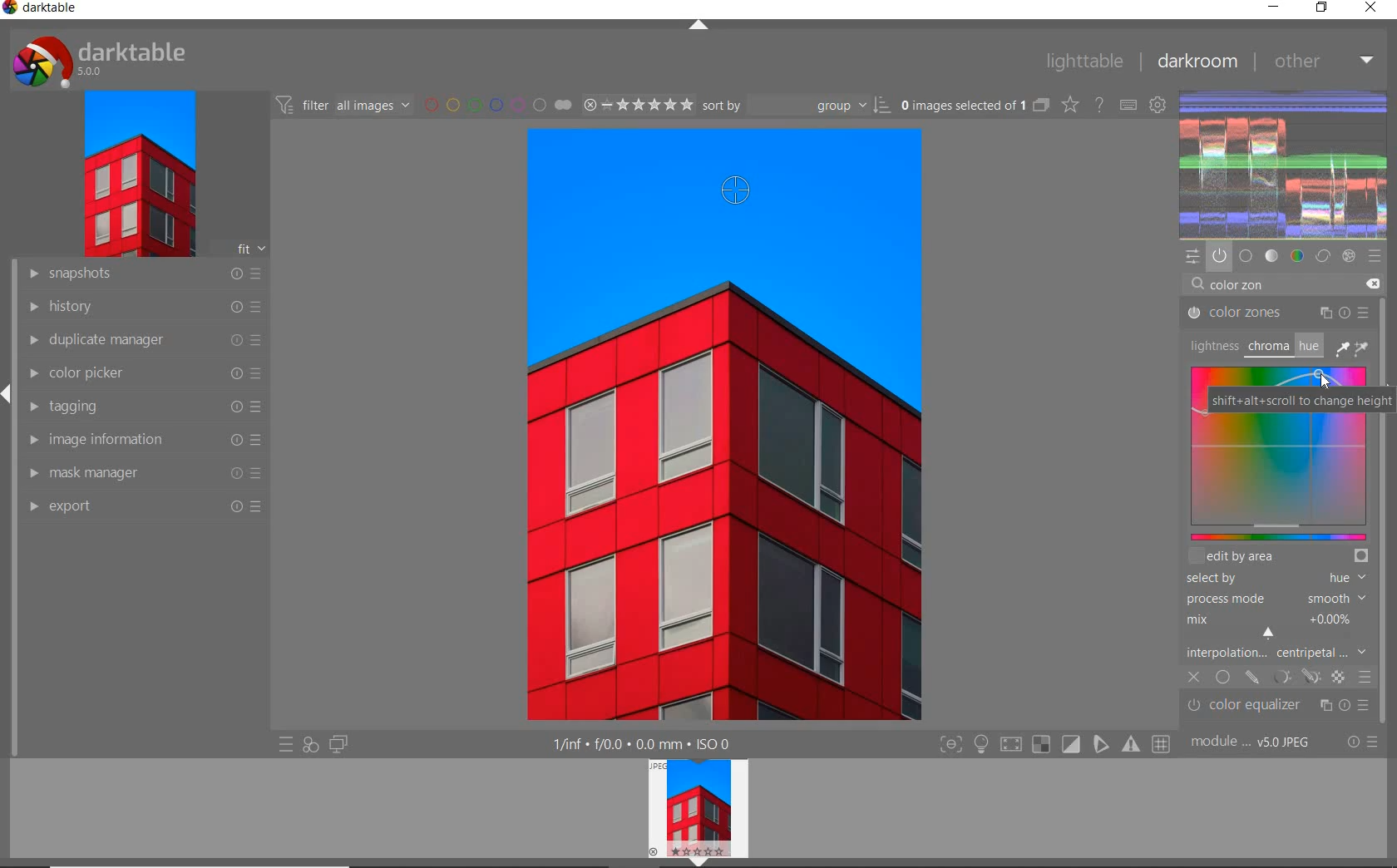 This screenshot has height=868, width=1397. Describe the element at coordinates (1350, 256) in the screenshot. I see `effect` at that location.